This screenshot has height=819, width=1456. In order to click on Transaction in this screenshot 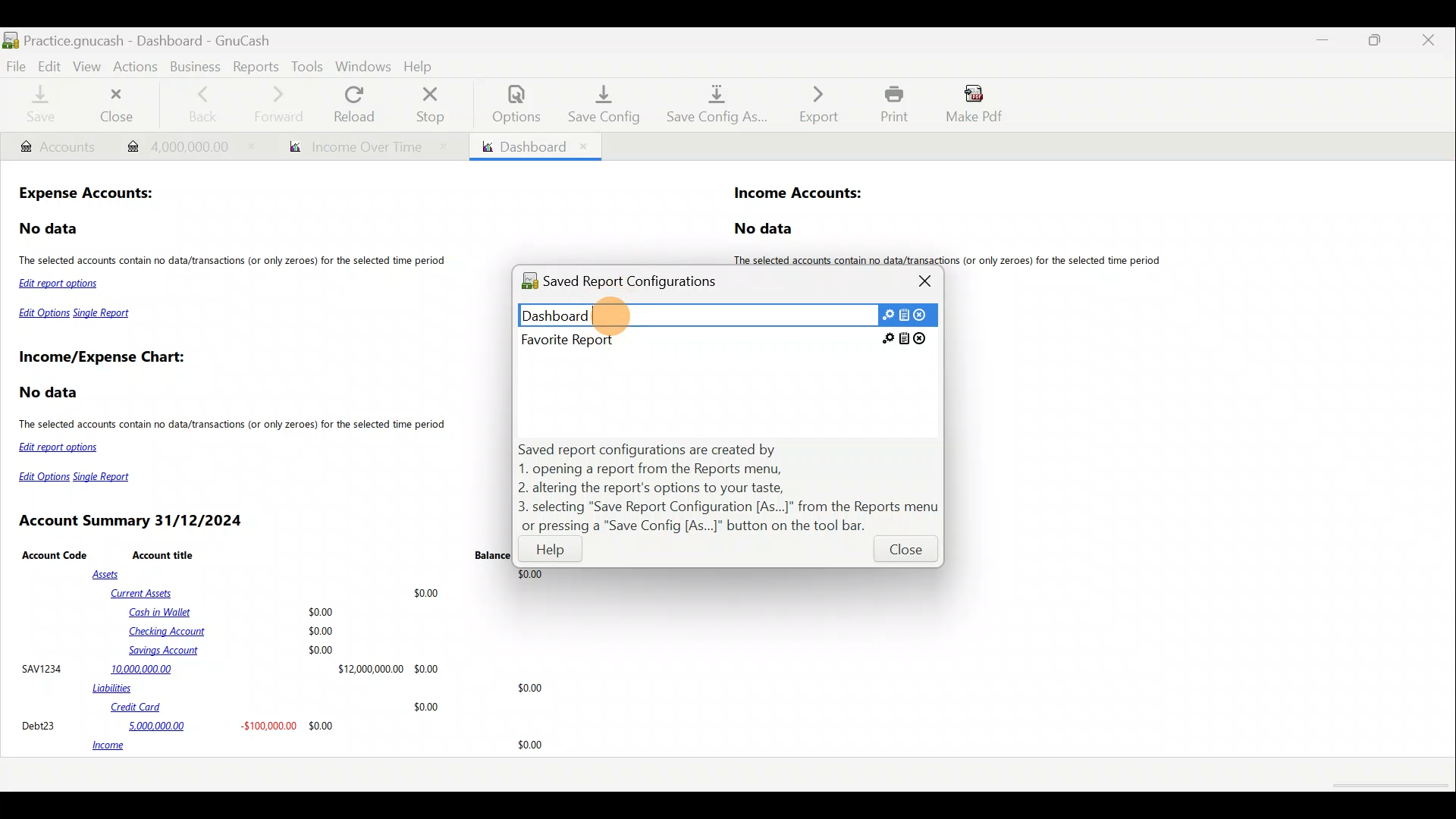, I will do `click(184, 145)`.